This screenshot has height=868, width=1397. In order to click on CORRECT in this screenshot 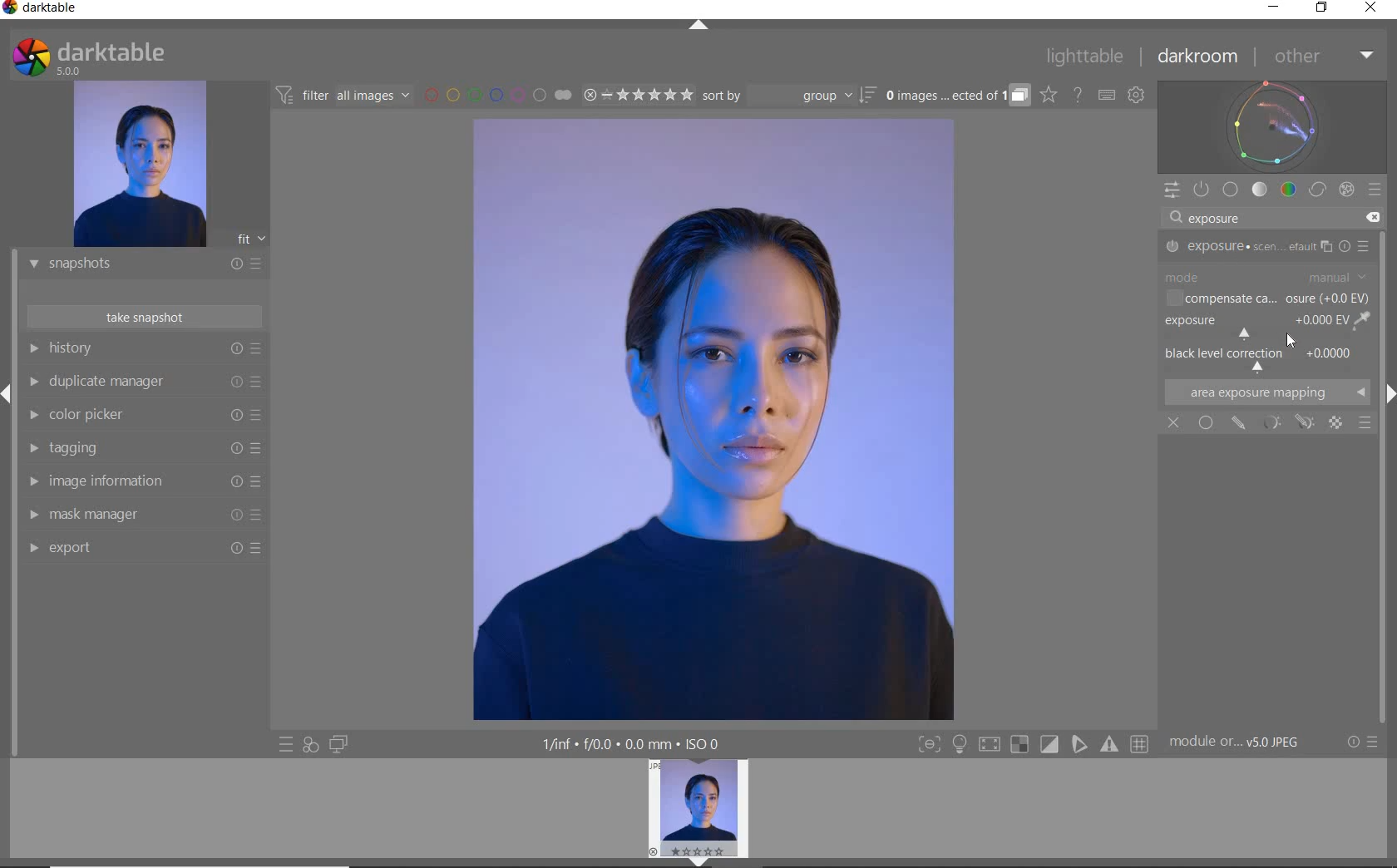, I will do `click(1319, 191)`.